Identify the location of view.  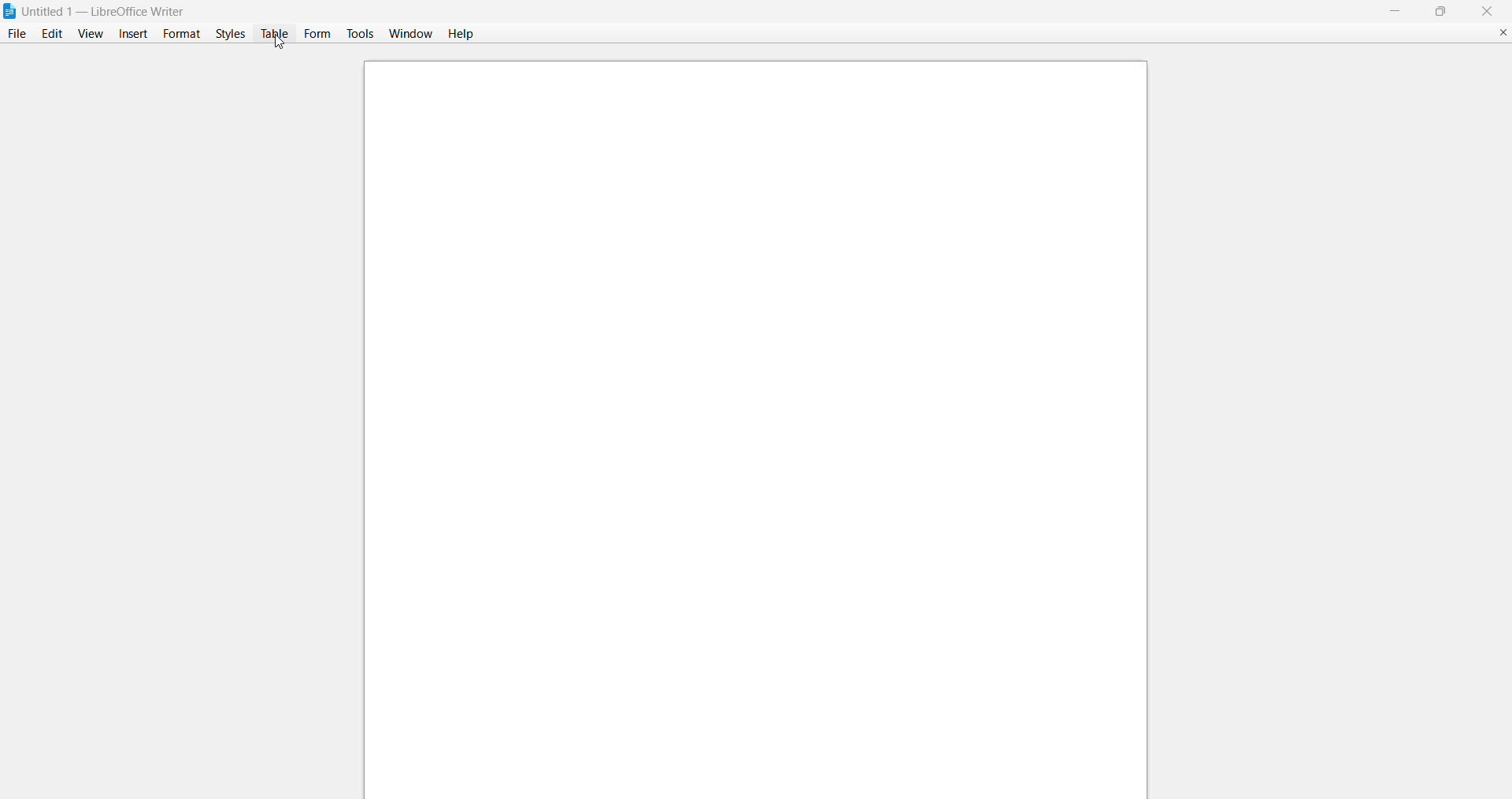
(90, 33).